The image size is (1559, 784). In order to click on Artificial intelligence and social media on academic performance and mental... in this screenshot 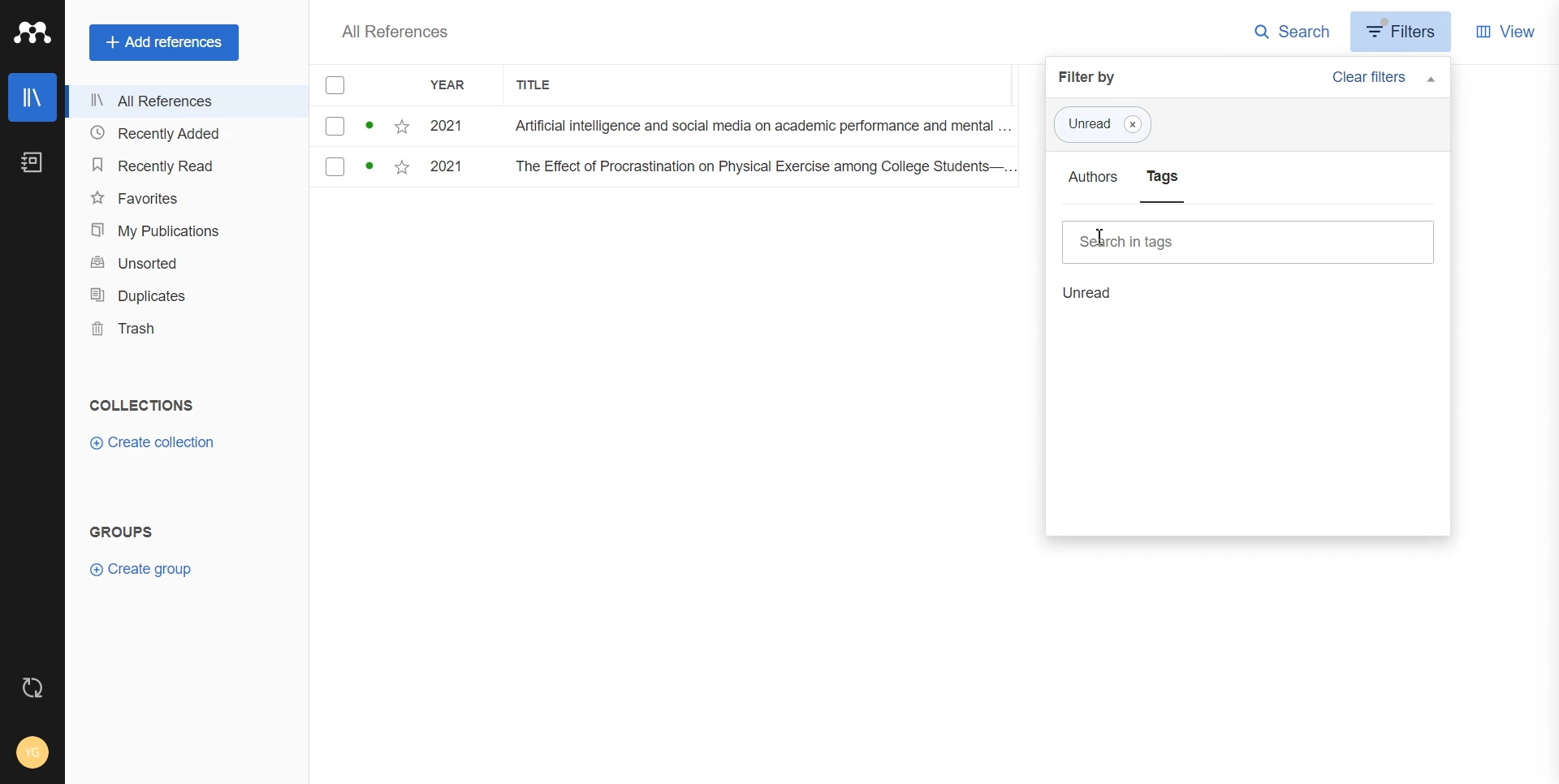, I will do `click(763, 170)`.